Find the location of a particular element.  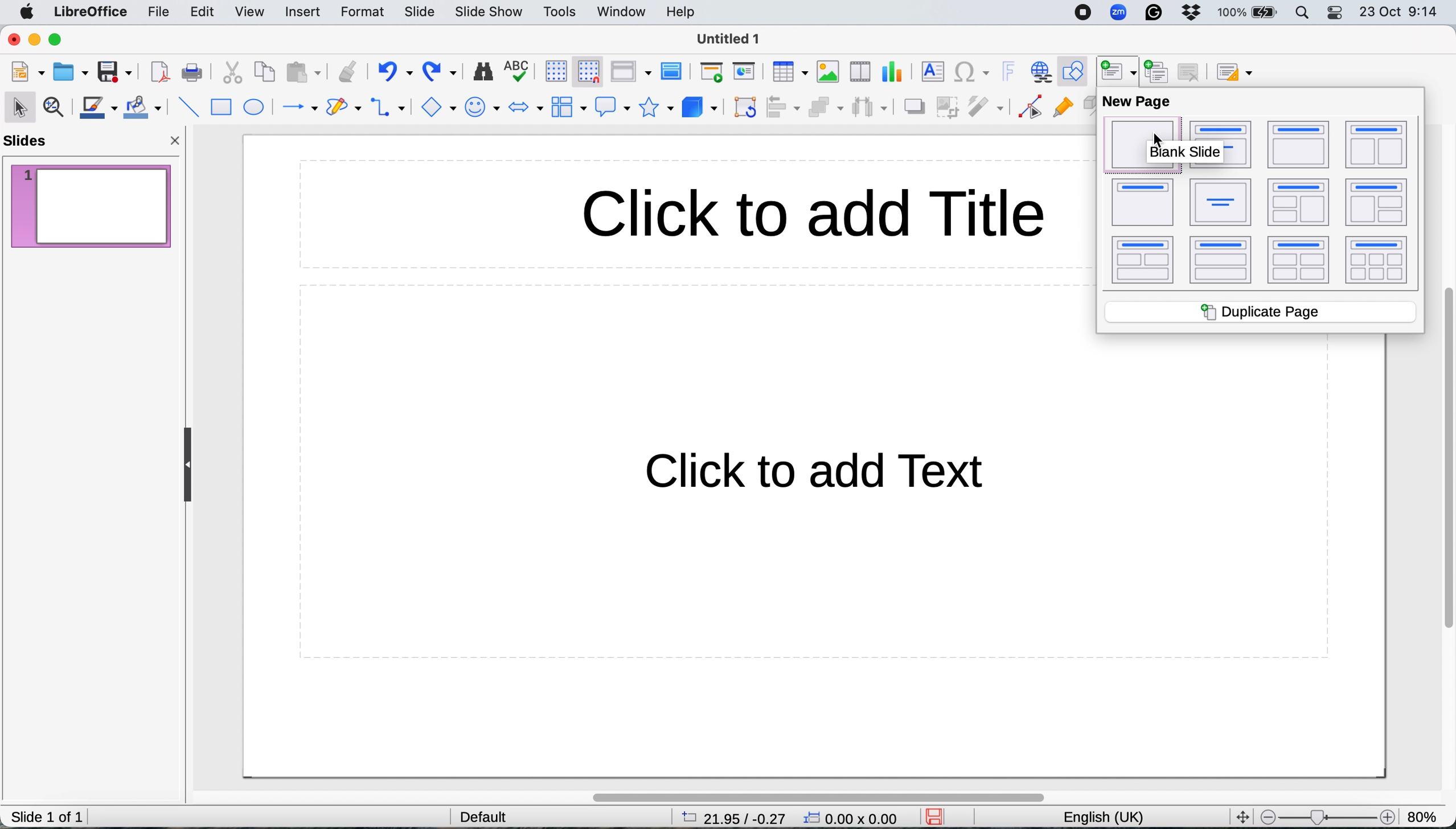

new page is located at coordinates (1136, 102).